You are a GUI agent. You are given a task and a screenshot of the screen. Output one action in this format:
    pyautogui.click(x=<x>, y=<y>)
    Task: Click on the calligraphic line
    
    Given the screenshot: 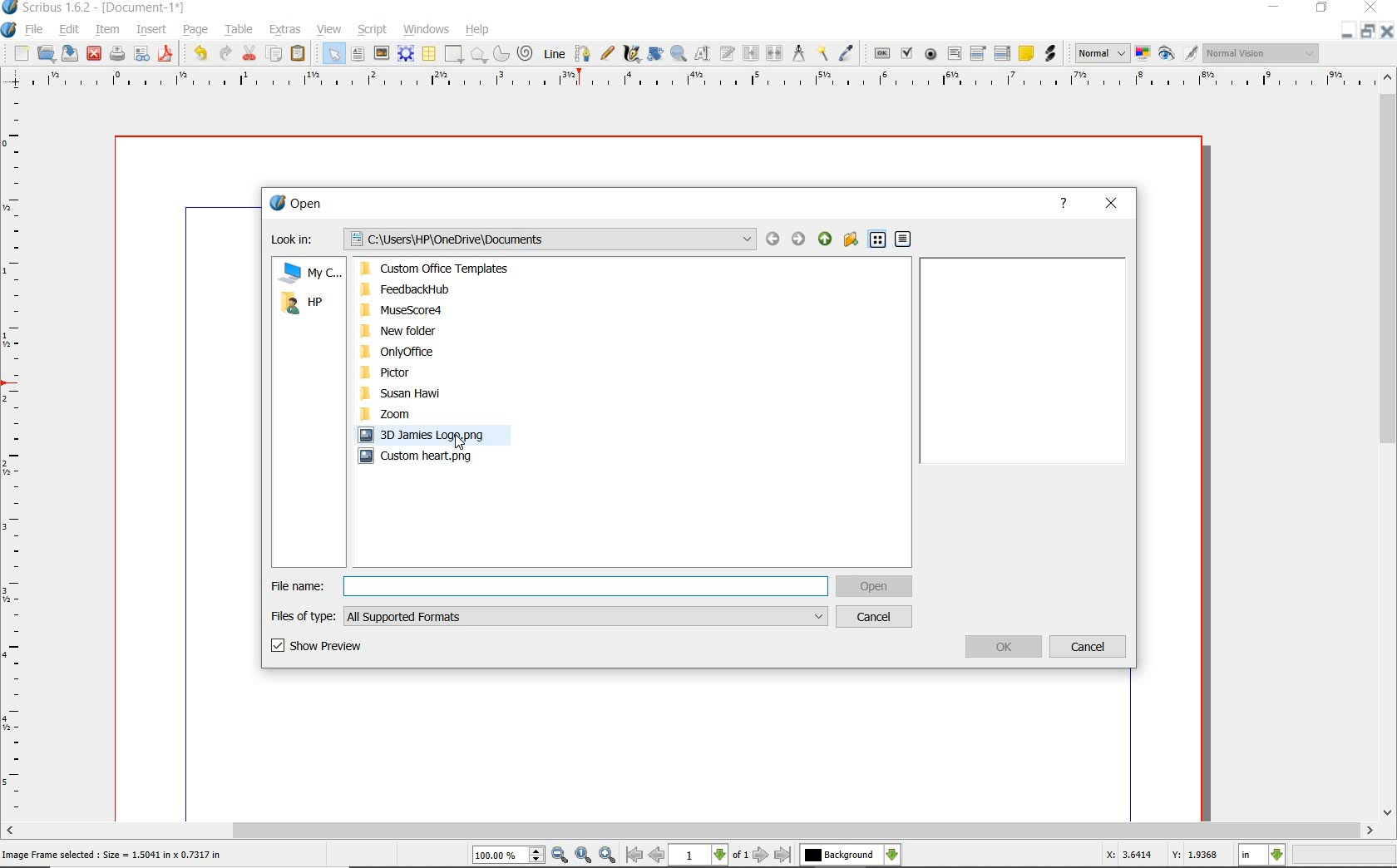 What is the action you would take?
    pyautogui.click(x=632, y=54)
    